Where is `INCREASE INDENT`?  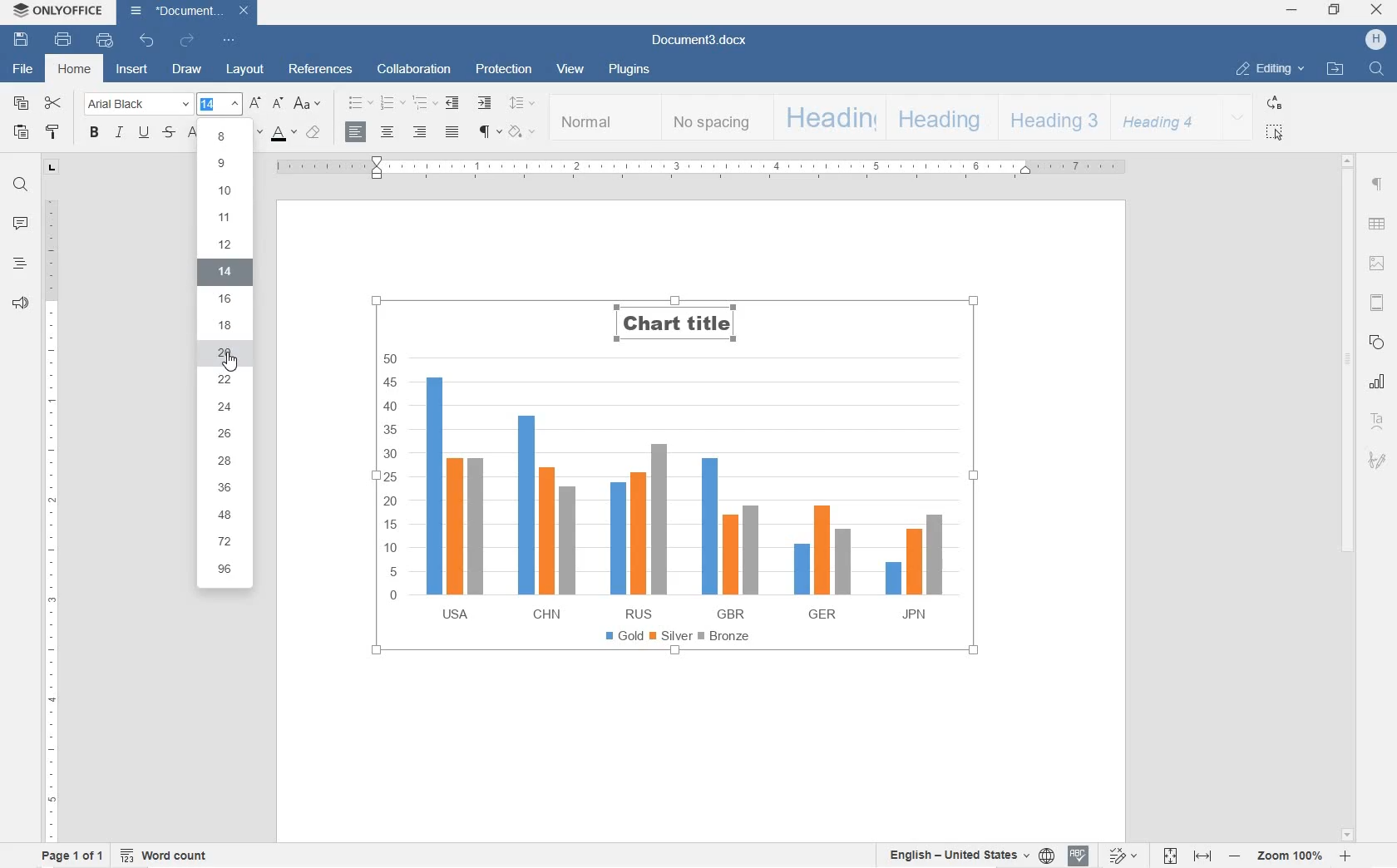
INCREASE INDENT is located at coordinates (486, 104).